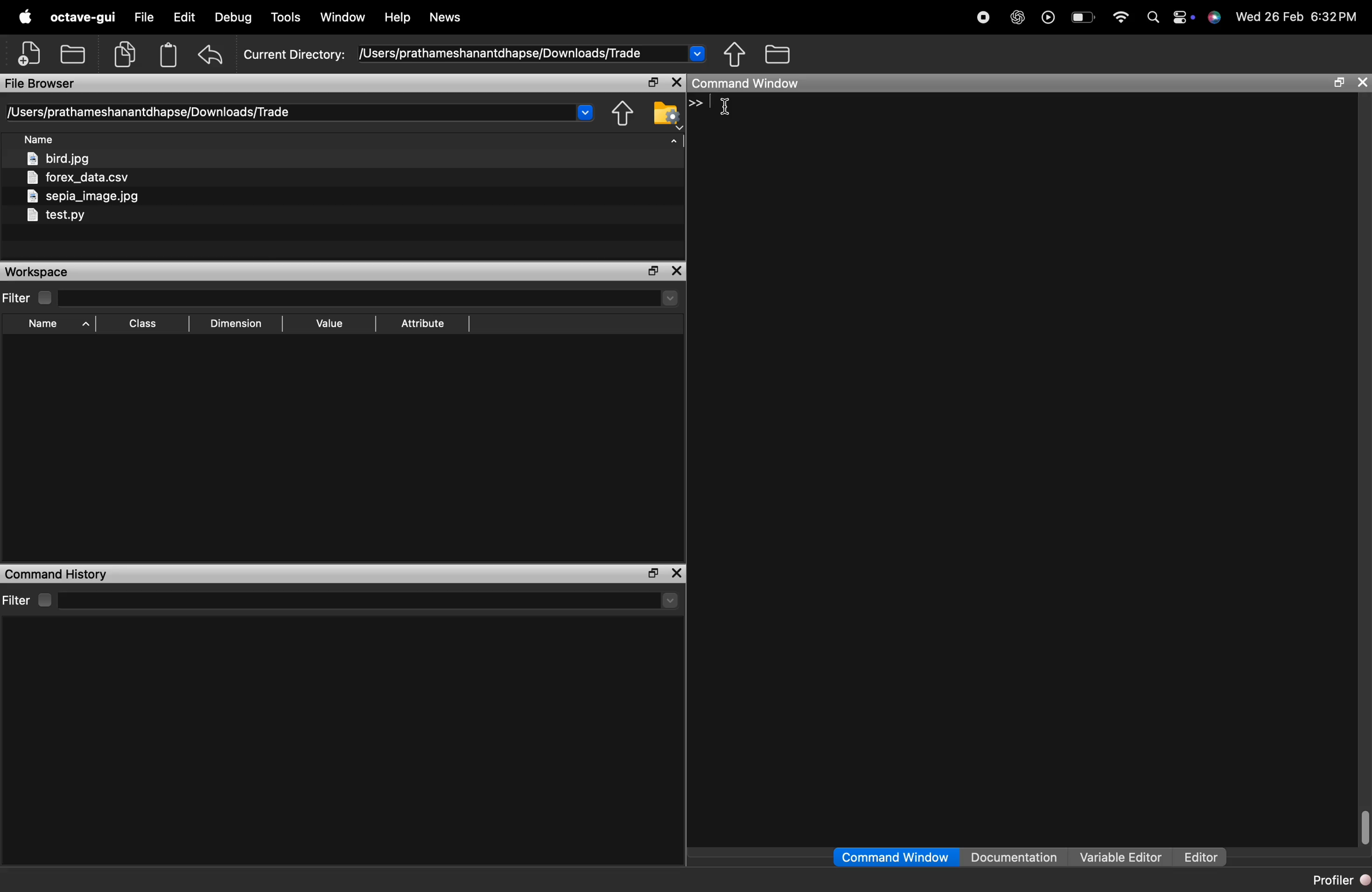 The width and height of the screenshot is (1372, 892). I want to click on octave gui, so click(82, 17).